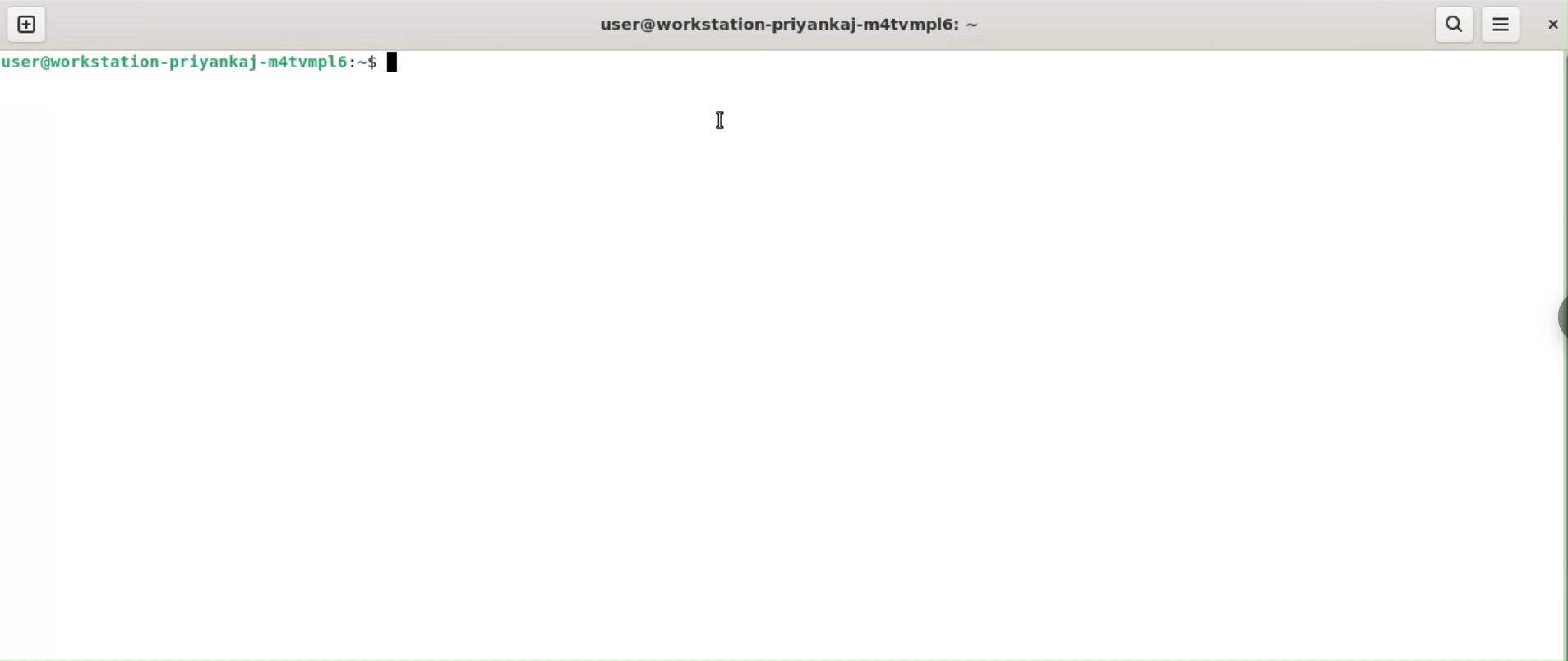 This screenshot has height=661, width=1568. Describe the element at coordinates (1501, 24) in the screenshot. I see `menu` at that location.